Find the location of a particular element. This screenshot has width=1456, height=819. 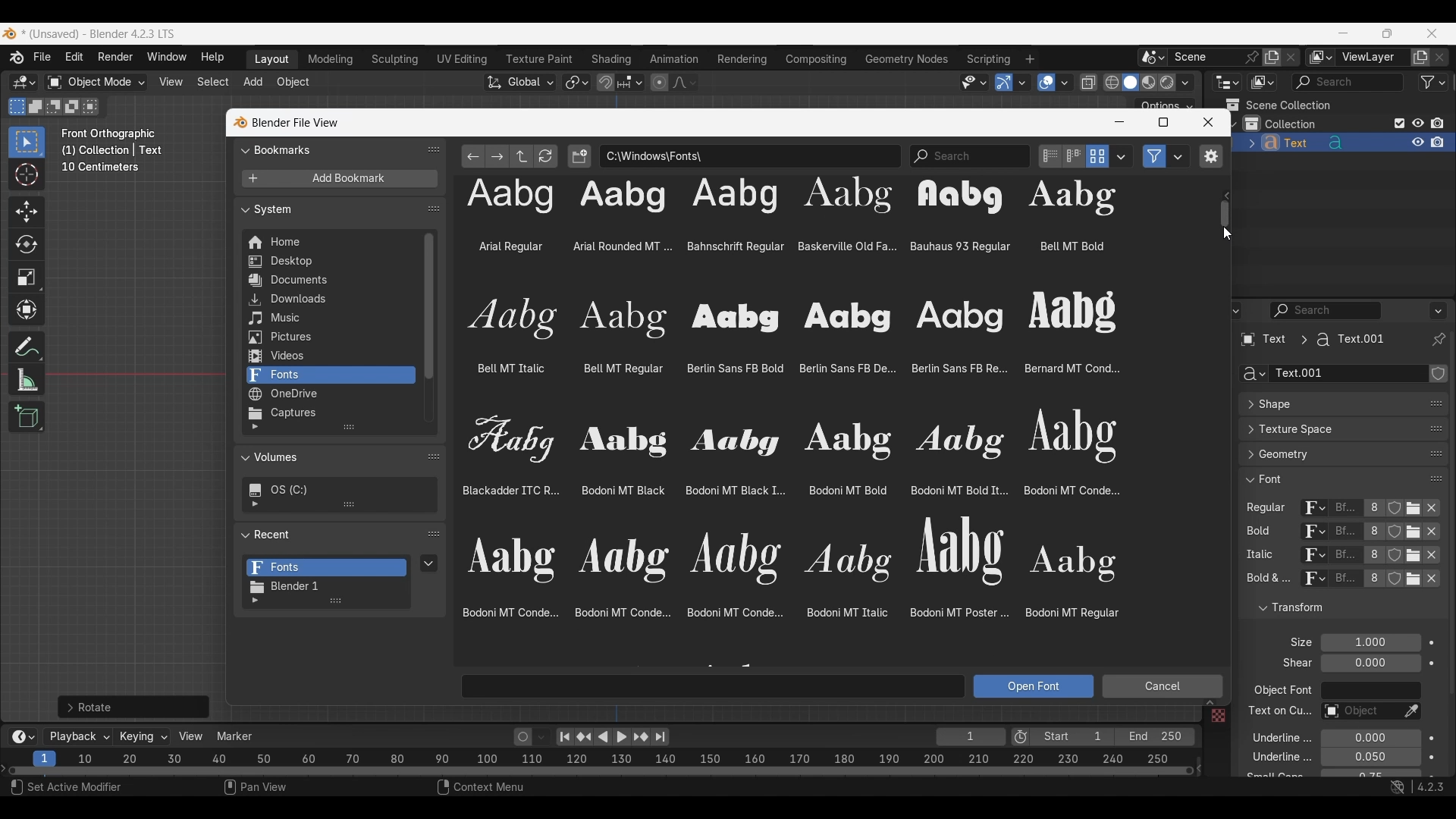

Change order in list is located at coordinates (434, 456).